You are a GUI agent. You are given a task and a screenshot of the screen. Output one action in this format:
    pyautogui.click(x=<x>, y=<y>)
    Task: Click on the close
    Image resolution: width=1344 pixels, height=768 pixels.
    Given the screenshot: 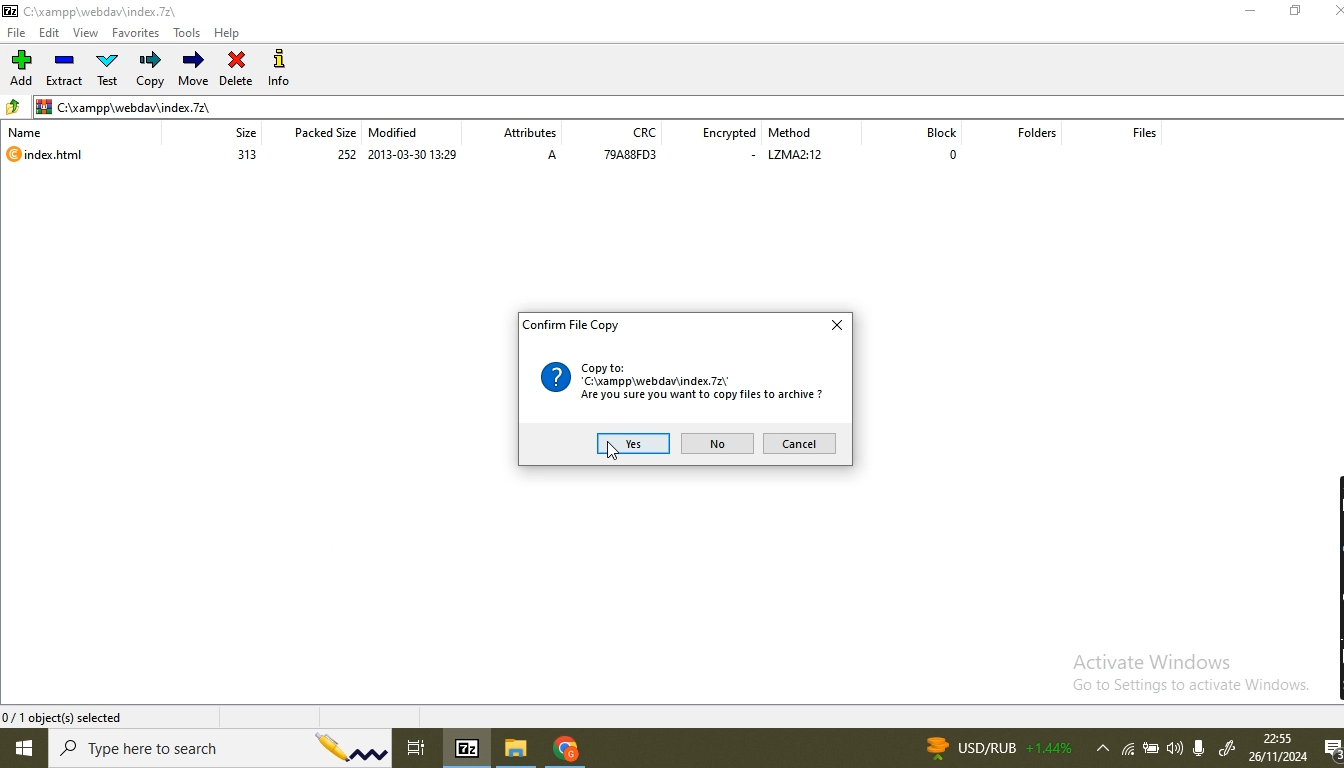 What is the action you would take?
    pyautogui.click(x=1336, y=10)
    